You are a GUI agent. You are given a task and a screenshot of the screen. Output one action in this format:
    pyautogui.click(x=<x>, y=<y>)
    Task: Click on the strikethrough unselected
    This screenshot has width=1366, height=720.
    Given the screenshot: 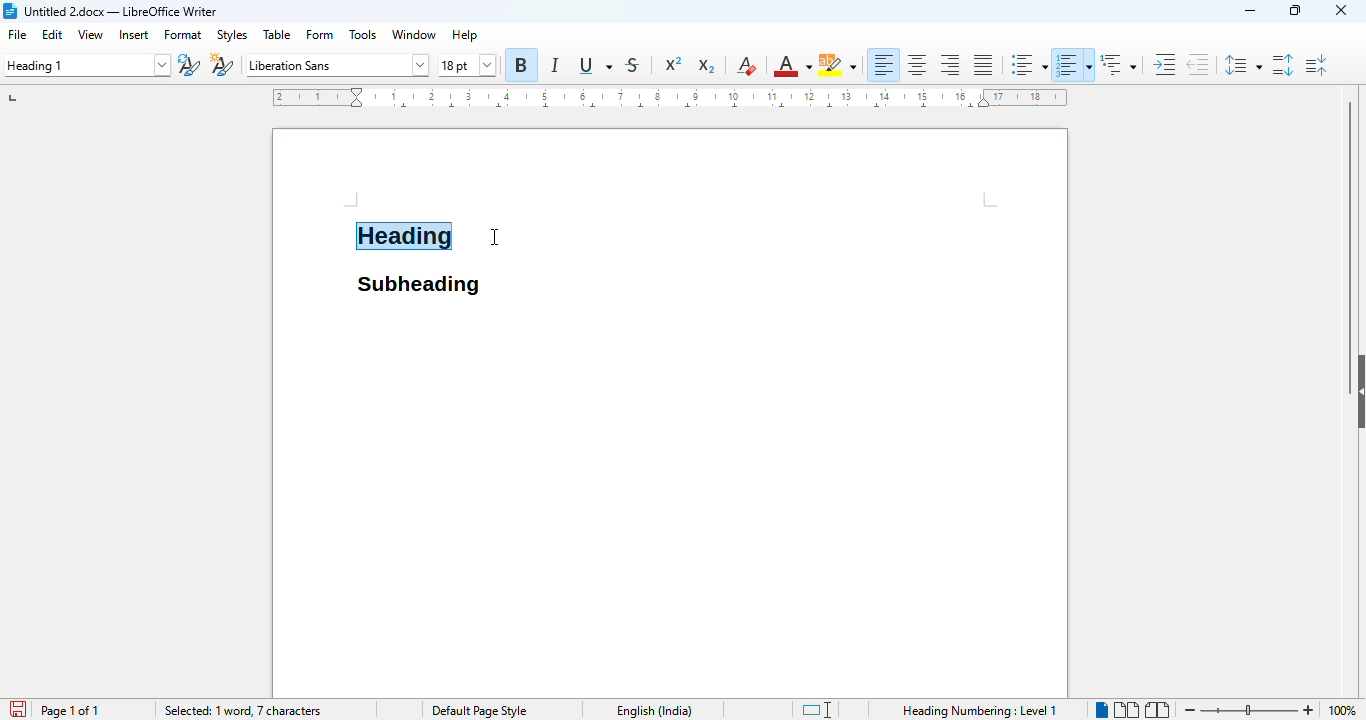 What is the action you would take?
    pyautogui.click(x=638, y=65)
    